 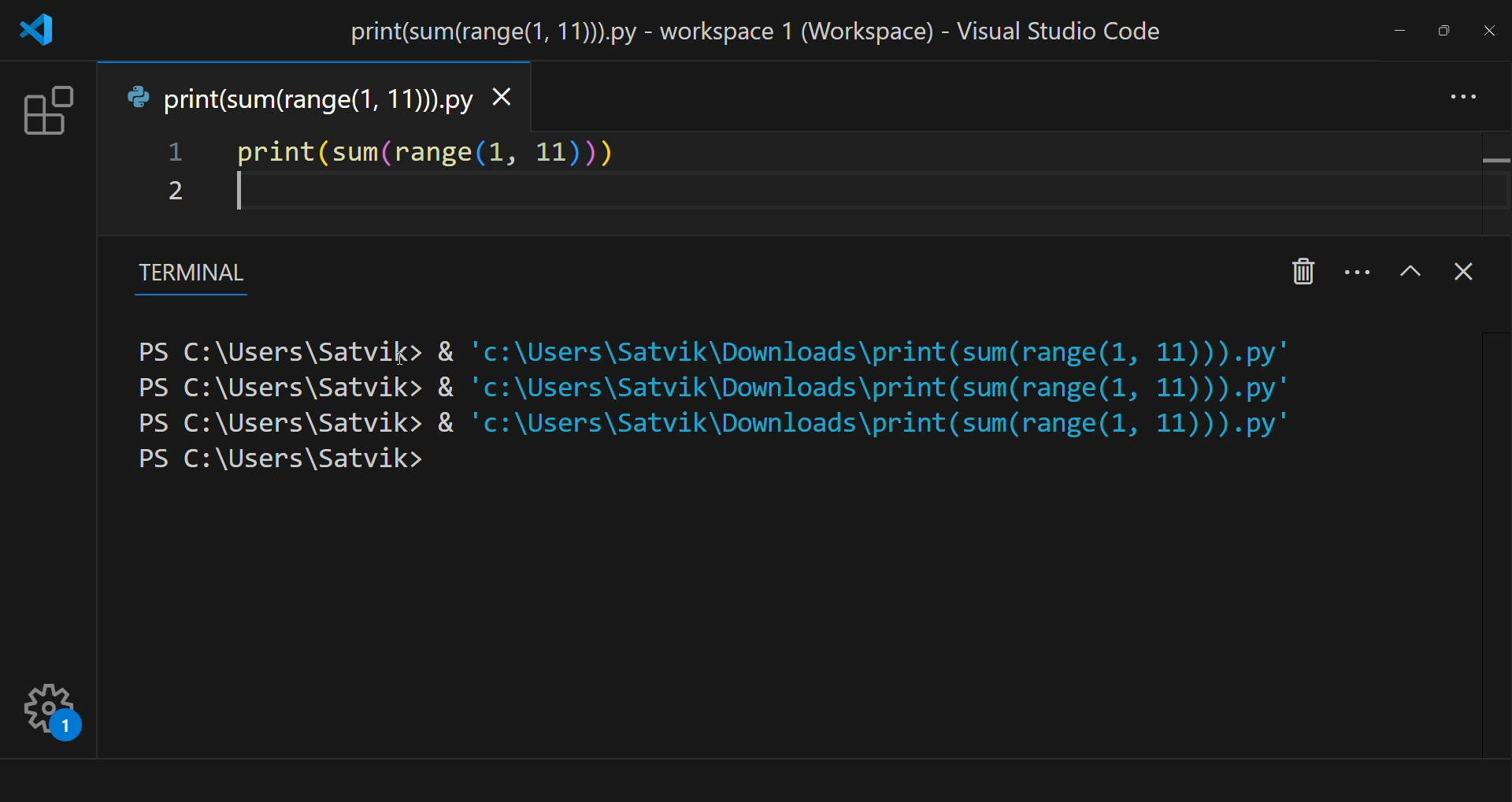 What do you see at coordinates (505, 94) in the screenshot?
I see `close tab` at bounding box center [505, 94].